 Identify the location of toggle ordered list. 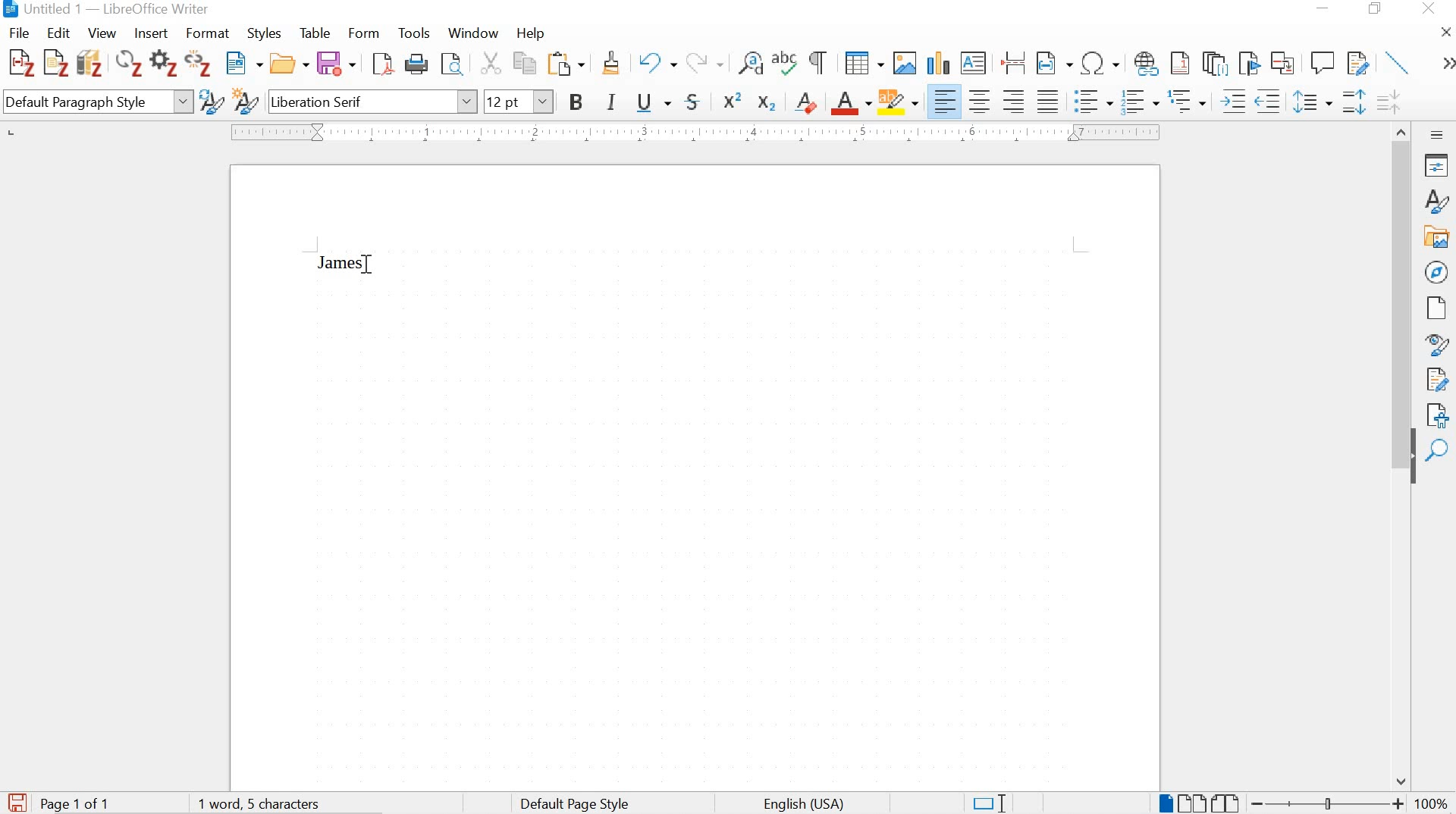
(1138, 102).